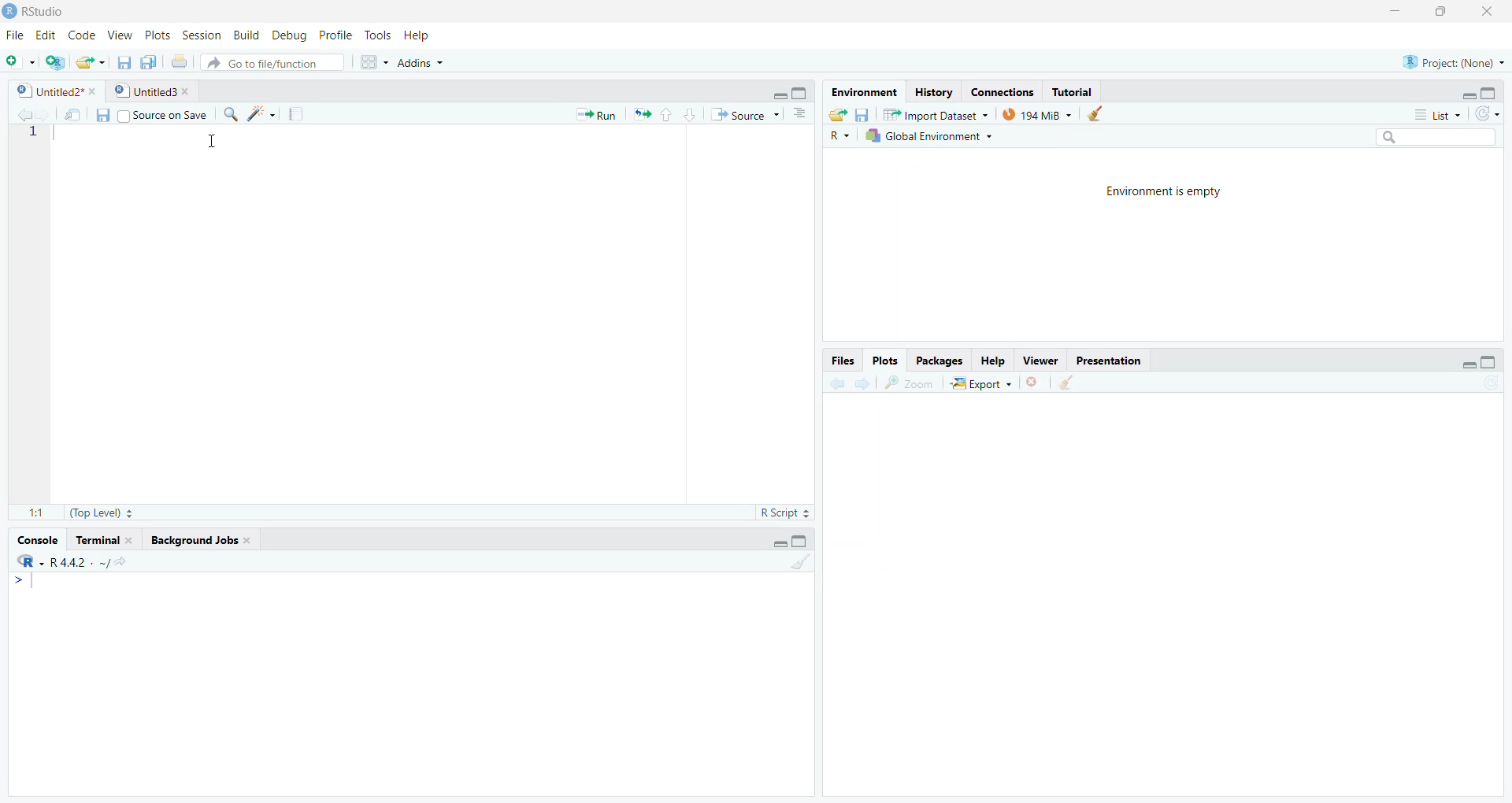 This screenshot has width=1512, height=803. Describe the element at coordinates (79, 563) in the screenshot. I see `R442. ~/` at that location.